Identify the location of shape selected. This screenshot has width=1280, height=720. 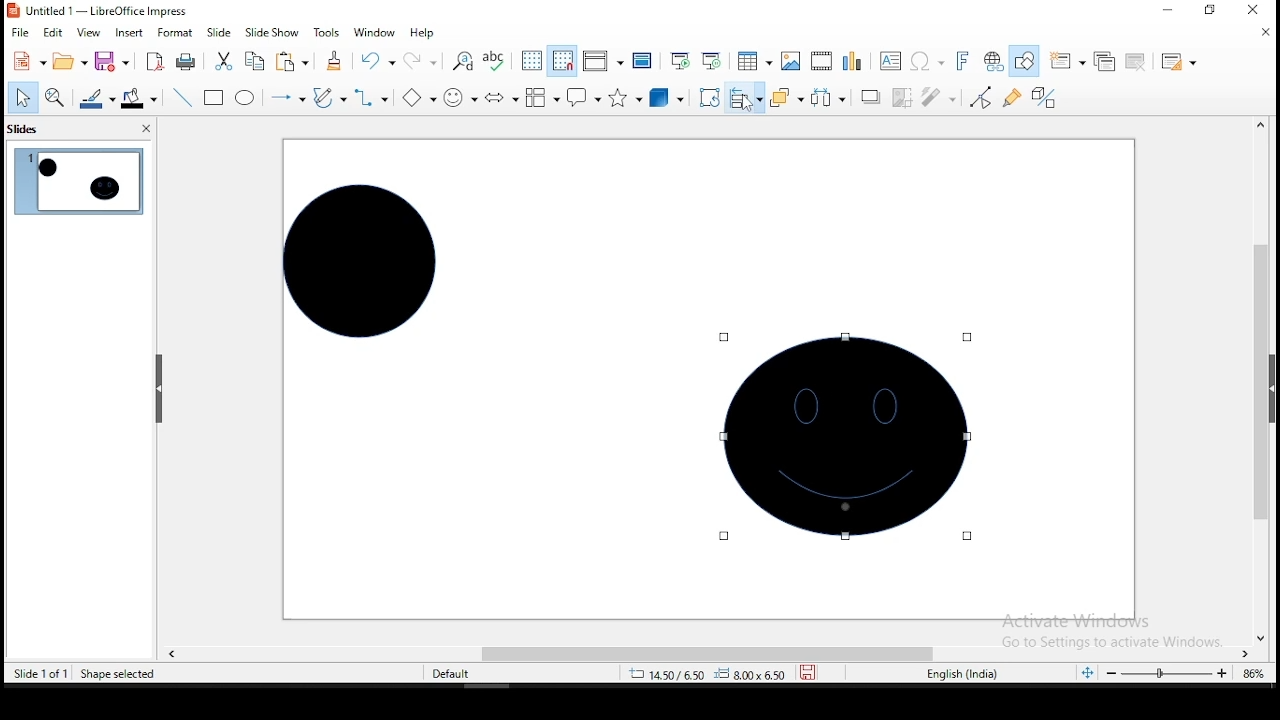
(121, 675).